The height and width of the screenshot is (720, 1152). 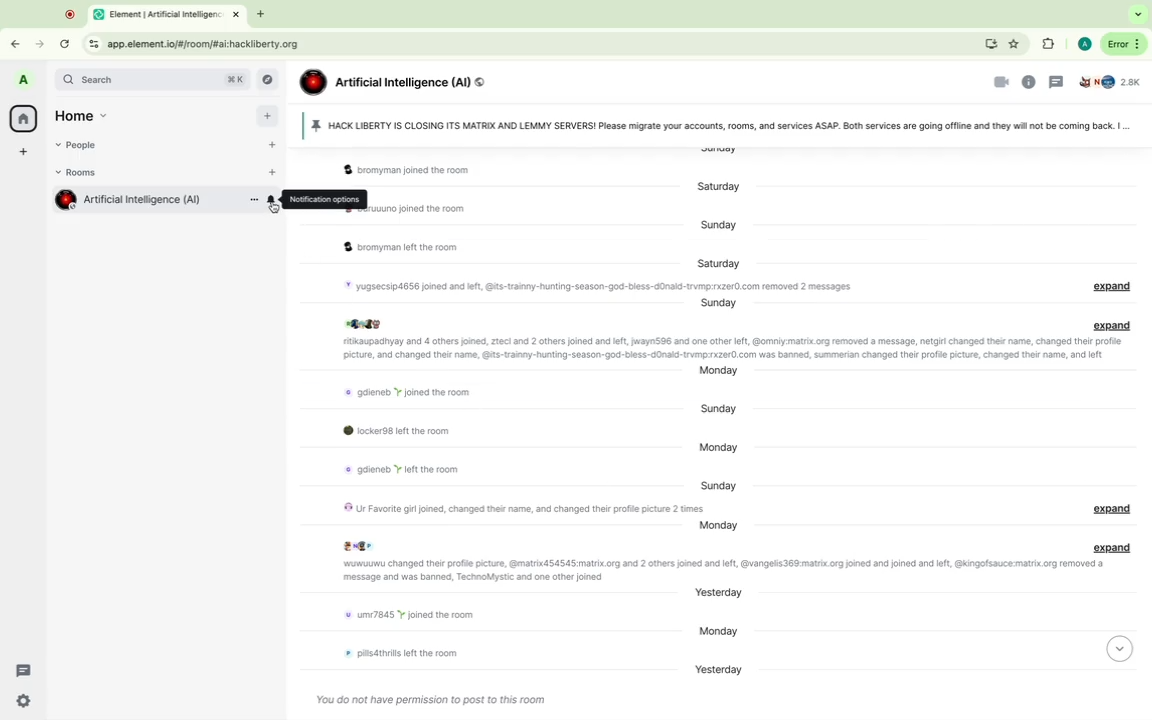 What do you see at coordinates (988, 43) in the screenshot?
I see `Install element` at bounding box center [988, 43].